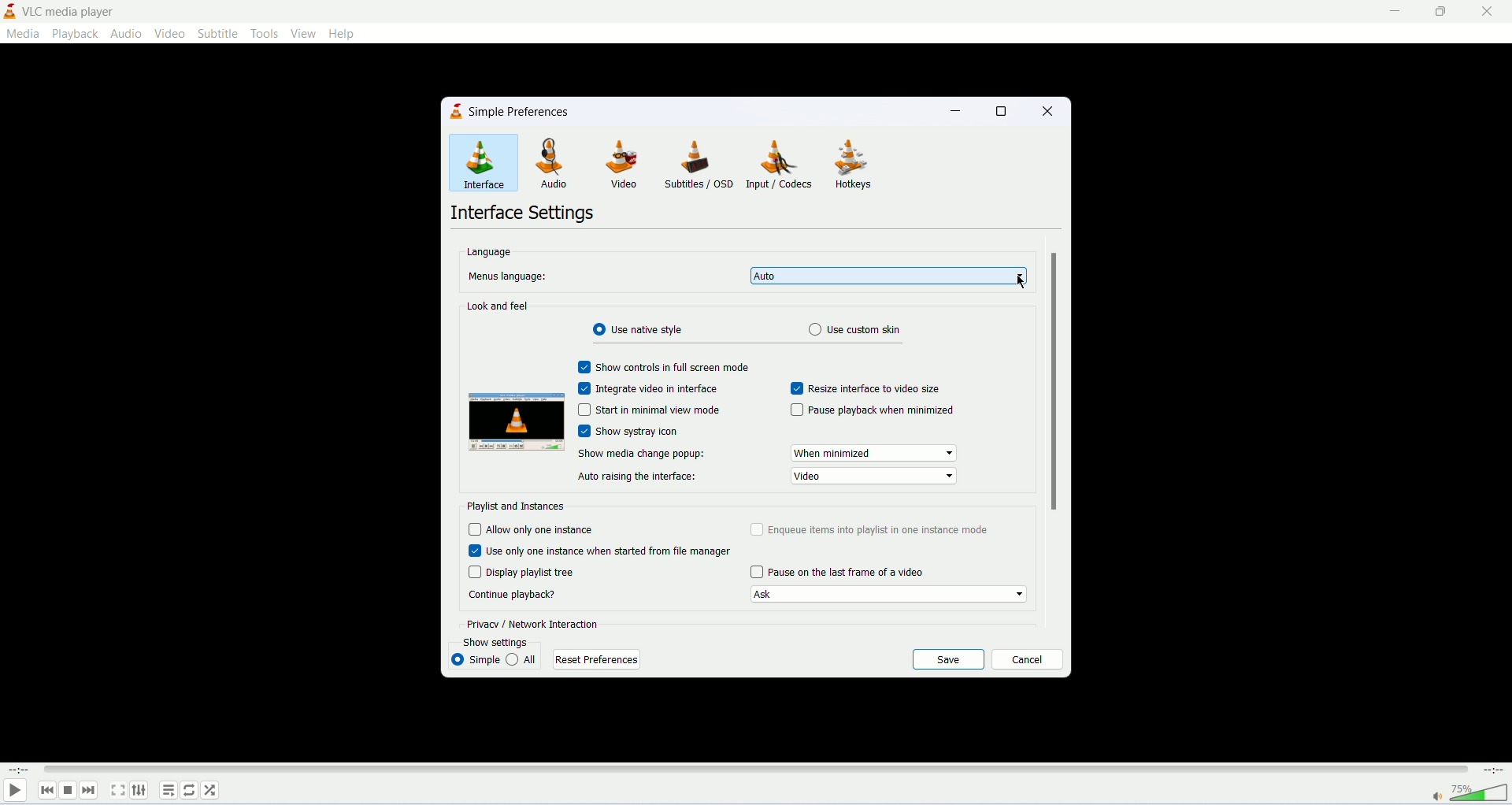 The height and width of the screenshot is (805, 1512). Describe the element at coordinates (859, 330) in the screenshot. I see `use custom skin` at that location.